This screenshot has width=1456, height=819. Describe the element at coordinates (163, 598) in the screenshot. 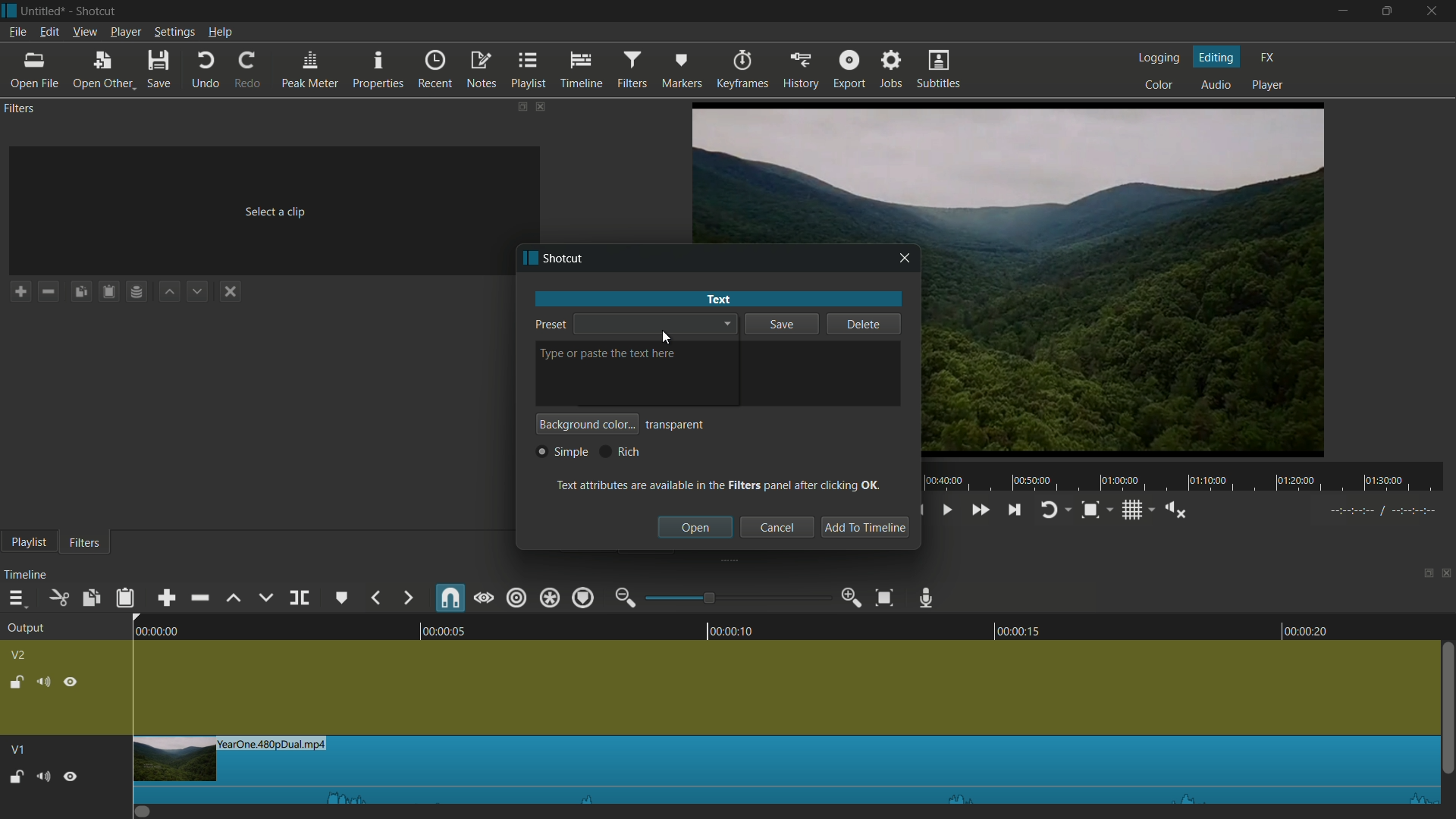

I see `append` at that location.